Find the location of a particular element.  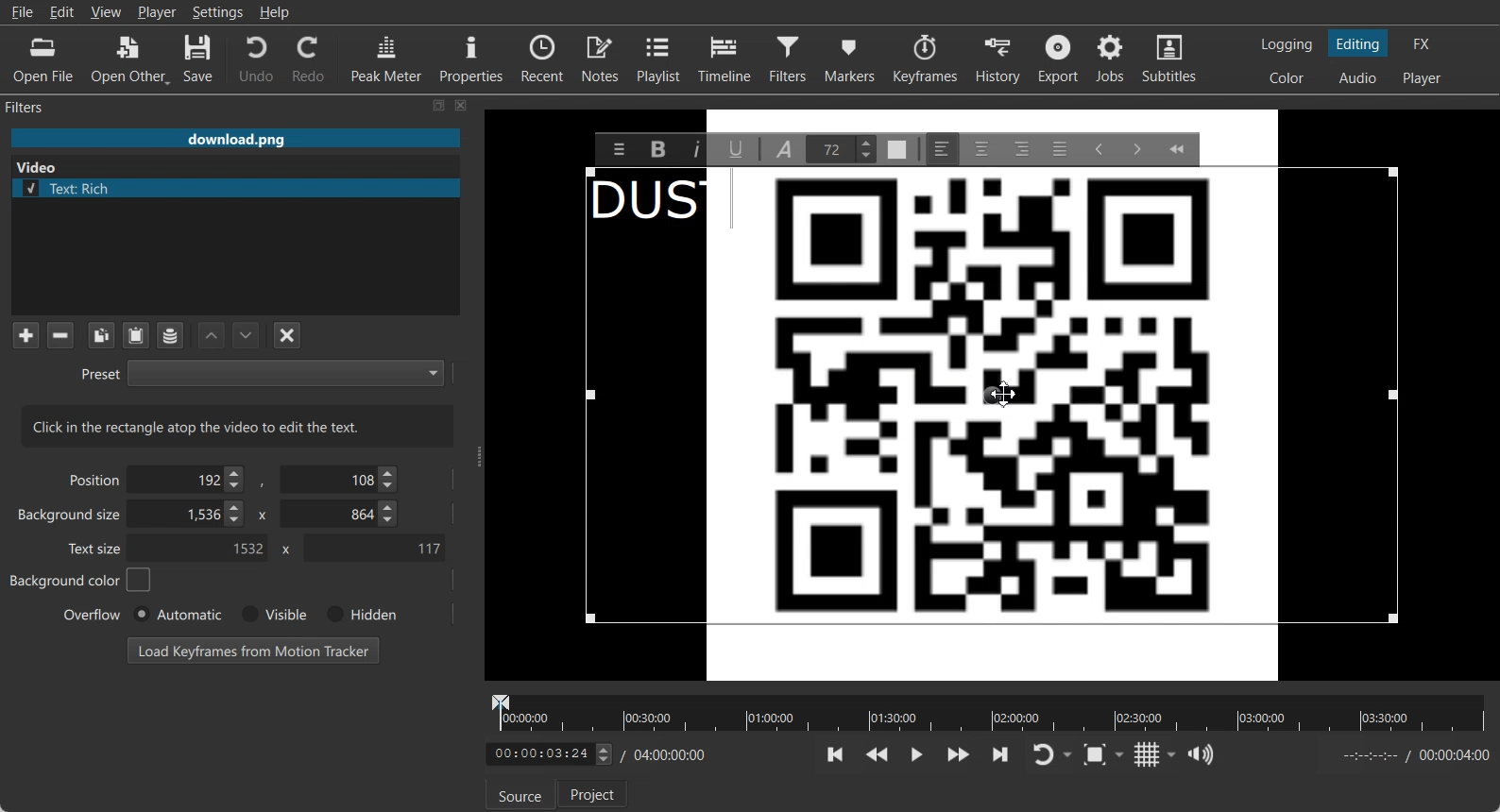

Player is located at coordinates (158, 12).